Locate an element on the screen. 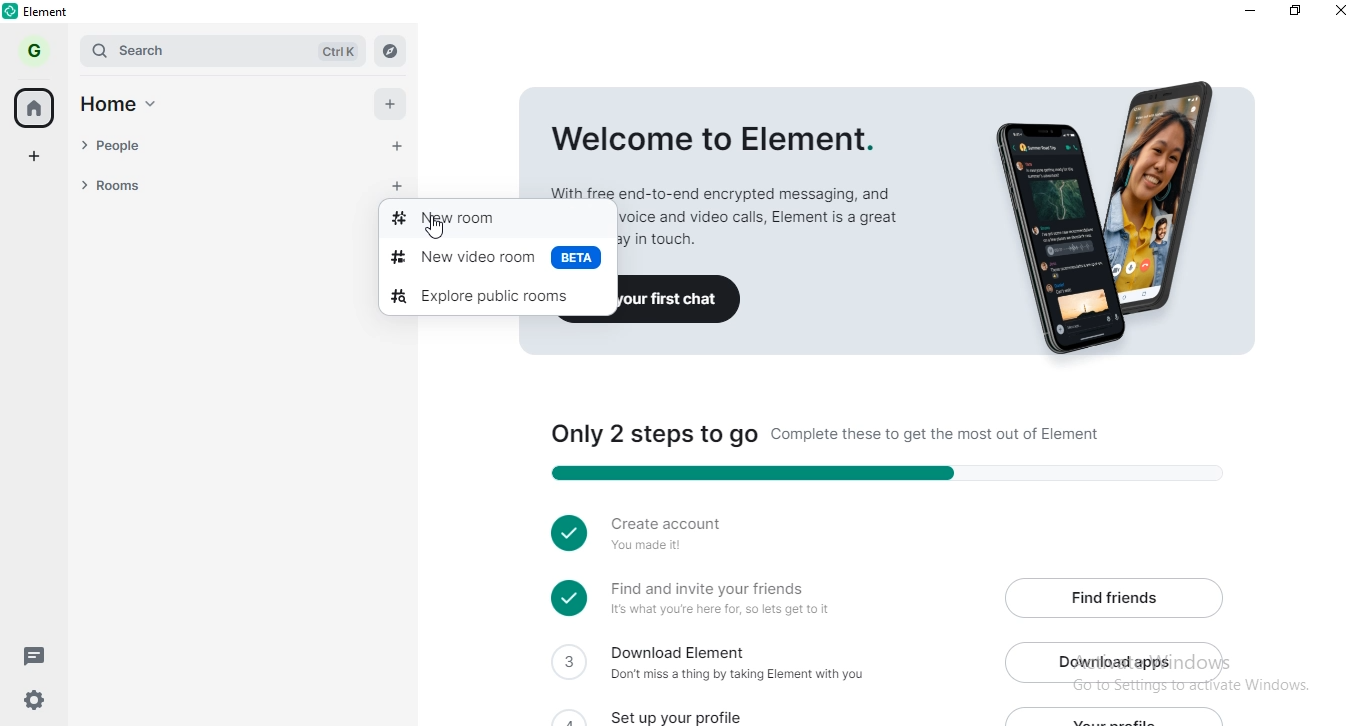  settings is located at coordinates (29, 704).